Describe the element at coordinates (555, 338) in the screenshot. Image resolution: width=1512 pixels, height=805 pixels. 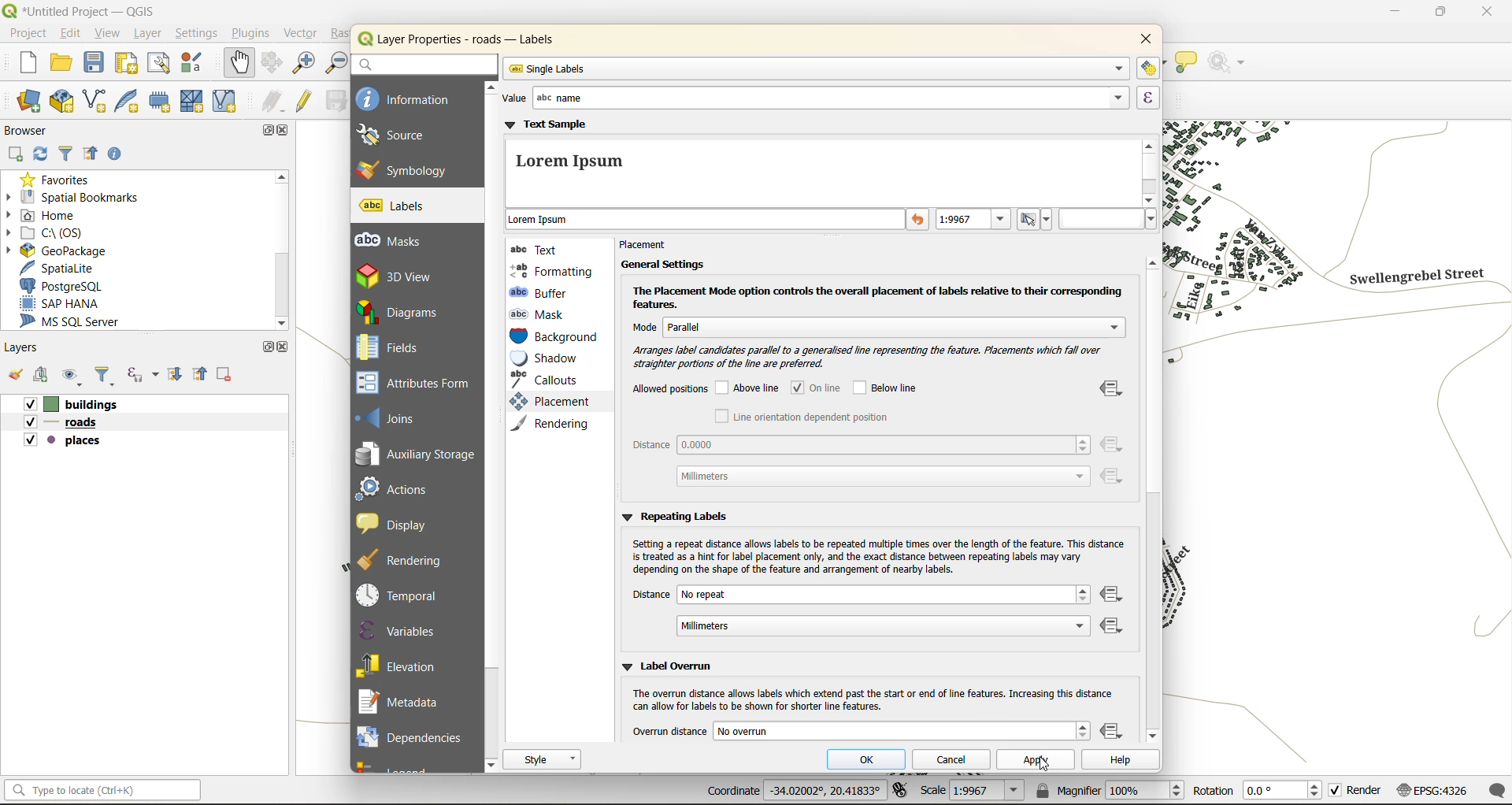
I see `background` at that location.